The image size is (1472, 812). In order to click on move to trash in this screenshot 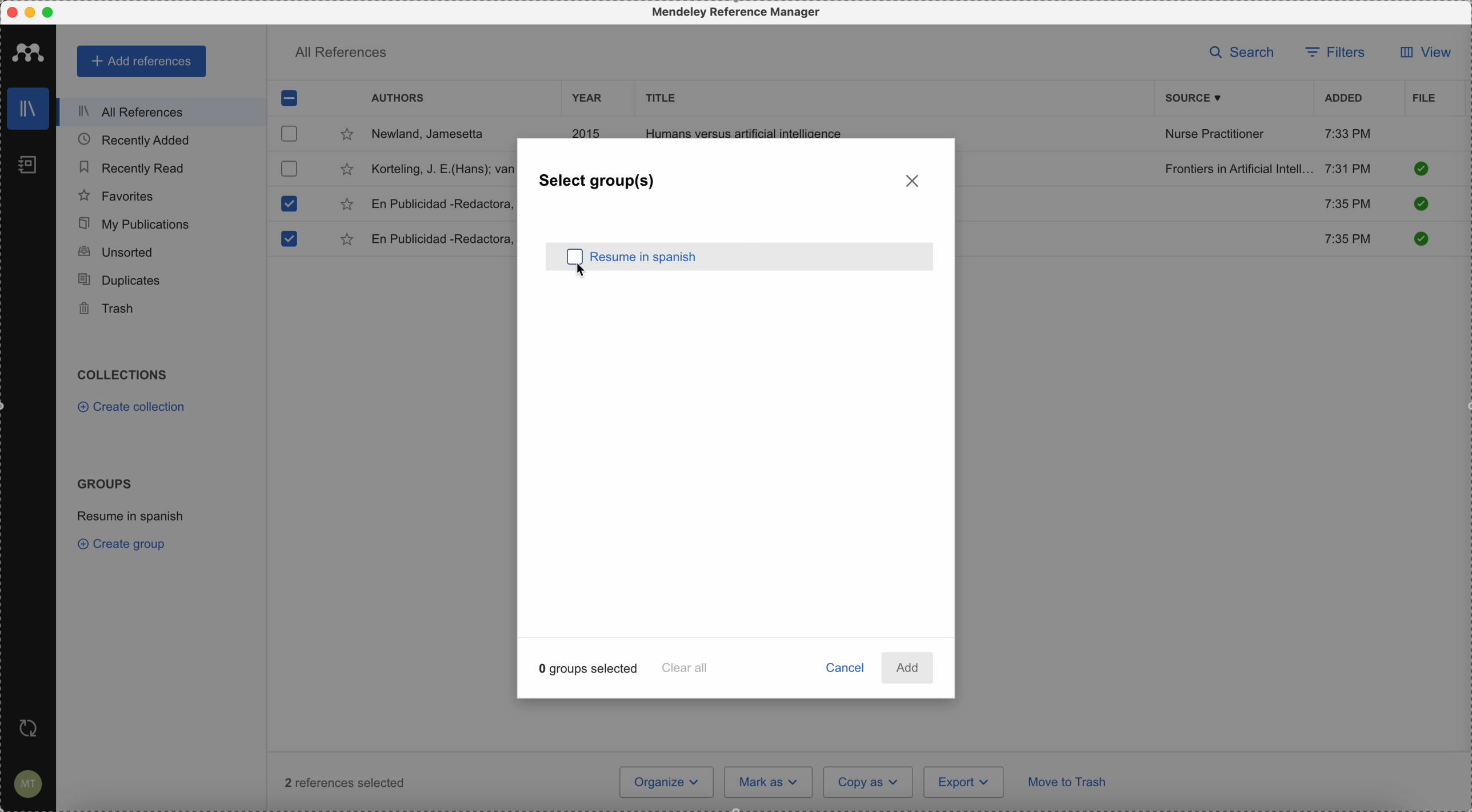, I will do `click(1069, 784)`.